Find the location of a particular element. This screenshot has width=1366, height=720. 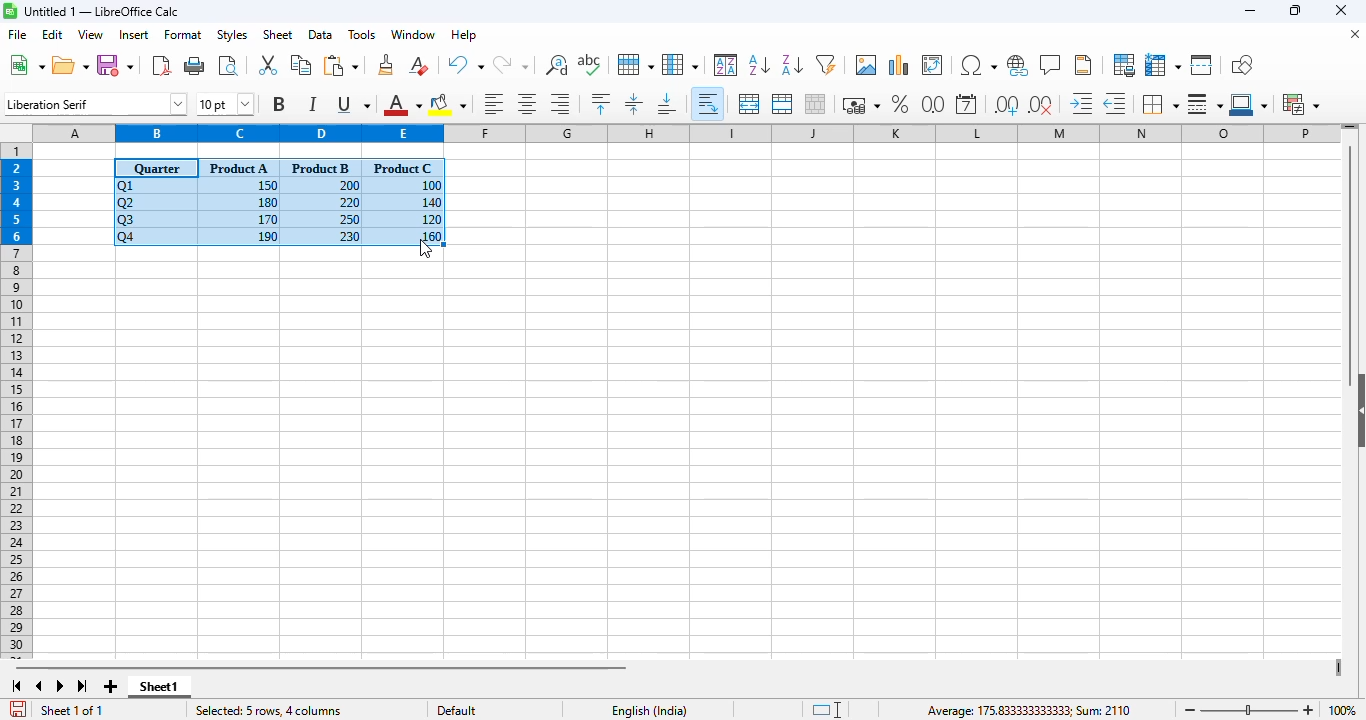

redo is located at coordinates (510, 65).